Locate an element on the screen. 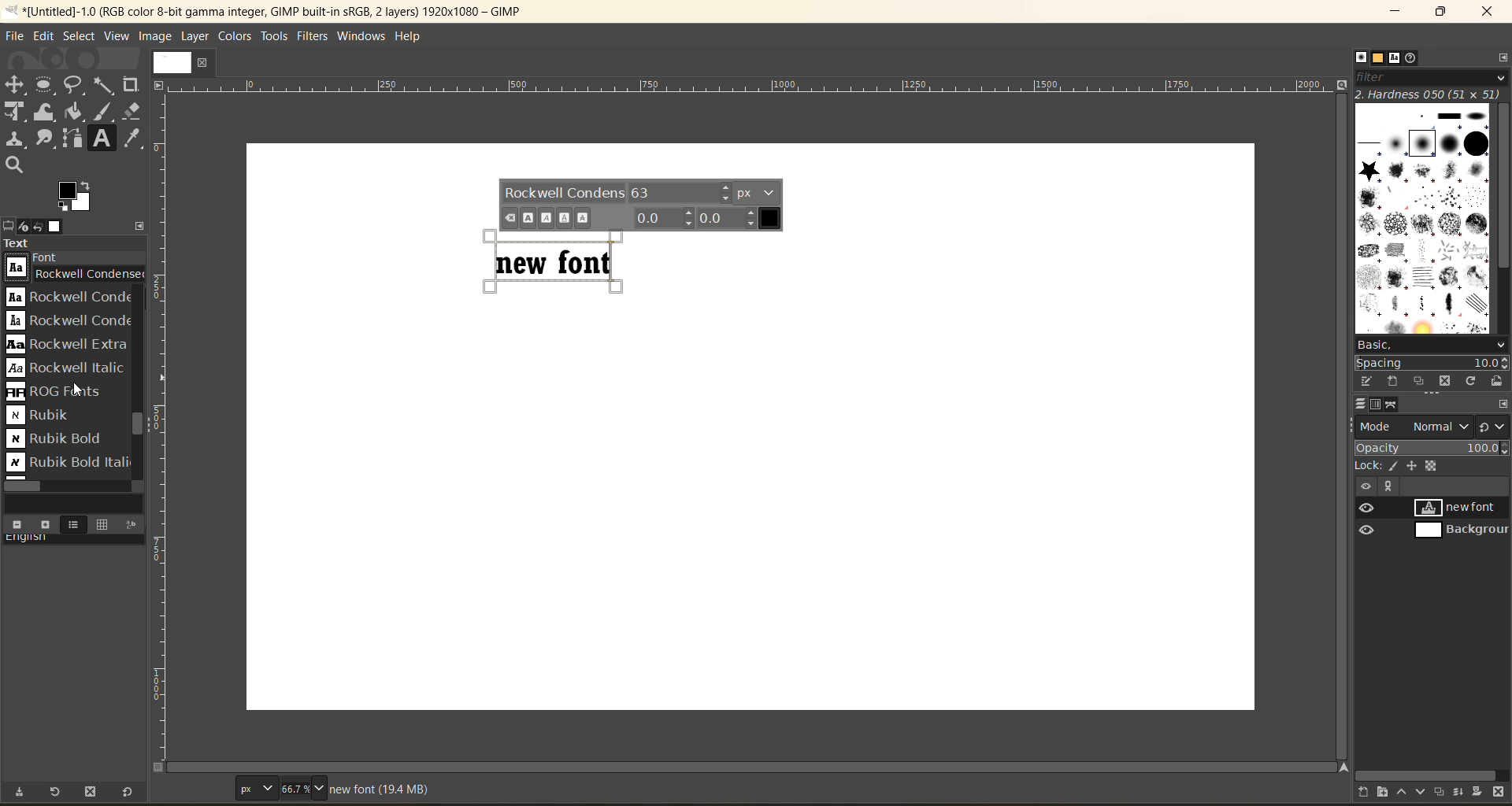 This screenshot has height=806, width=1512. options is located at coordinates (1423, 216).